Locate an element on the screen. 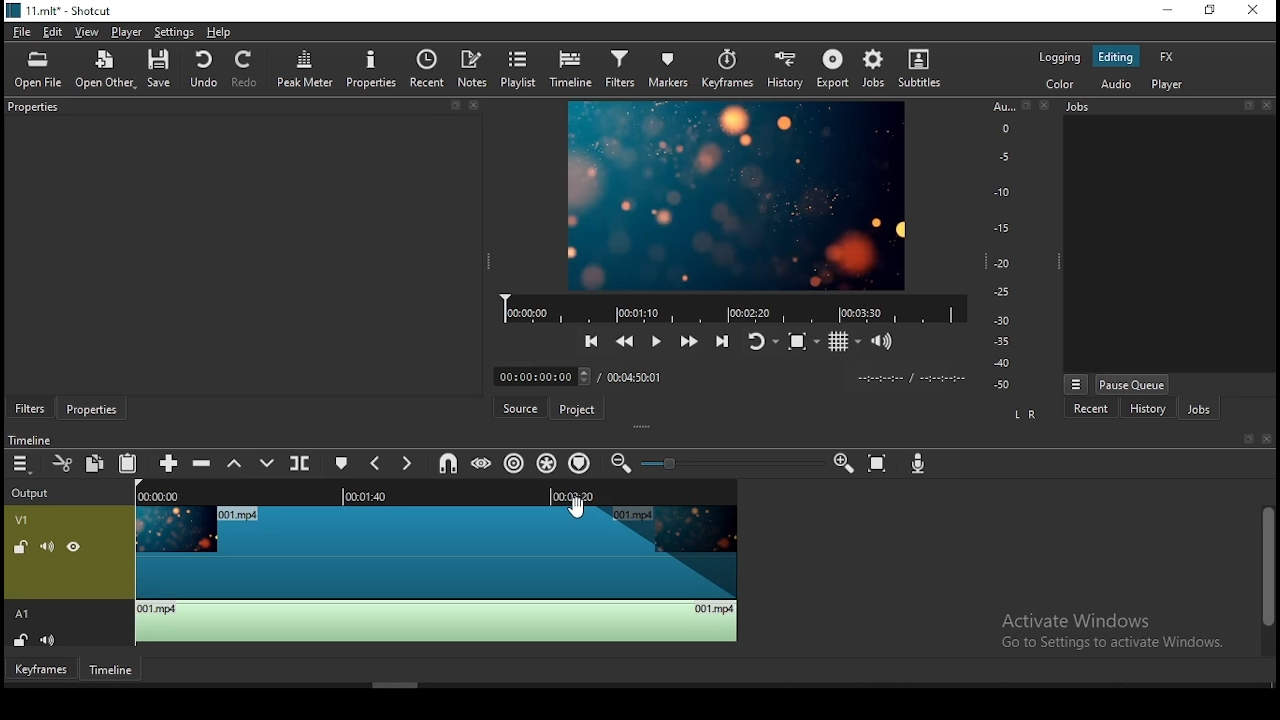 This screenshot has height=720, width=1280. properties is located at coordinates (371, 68).